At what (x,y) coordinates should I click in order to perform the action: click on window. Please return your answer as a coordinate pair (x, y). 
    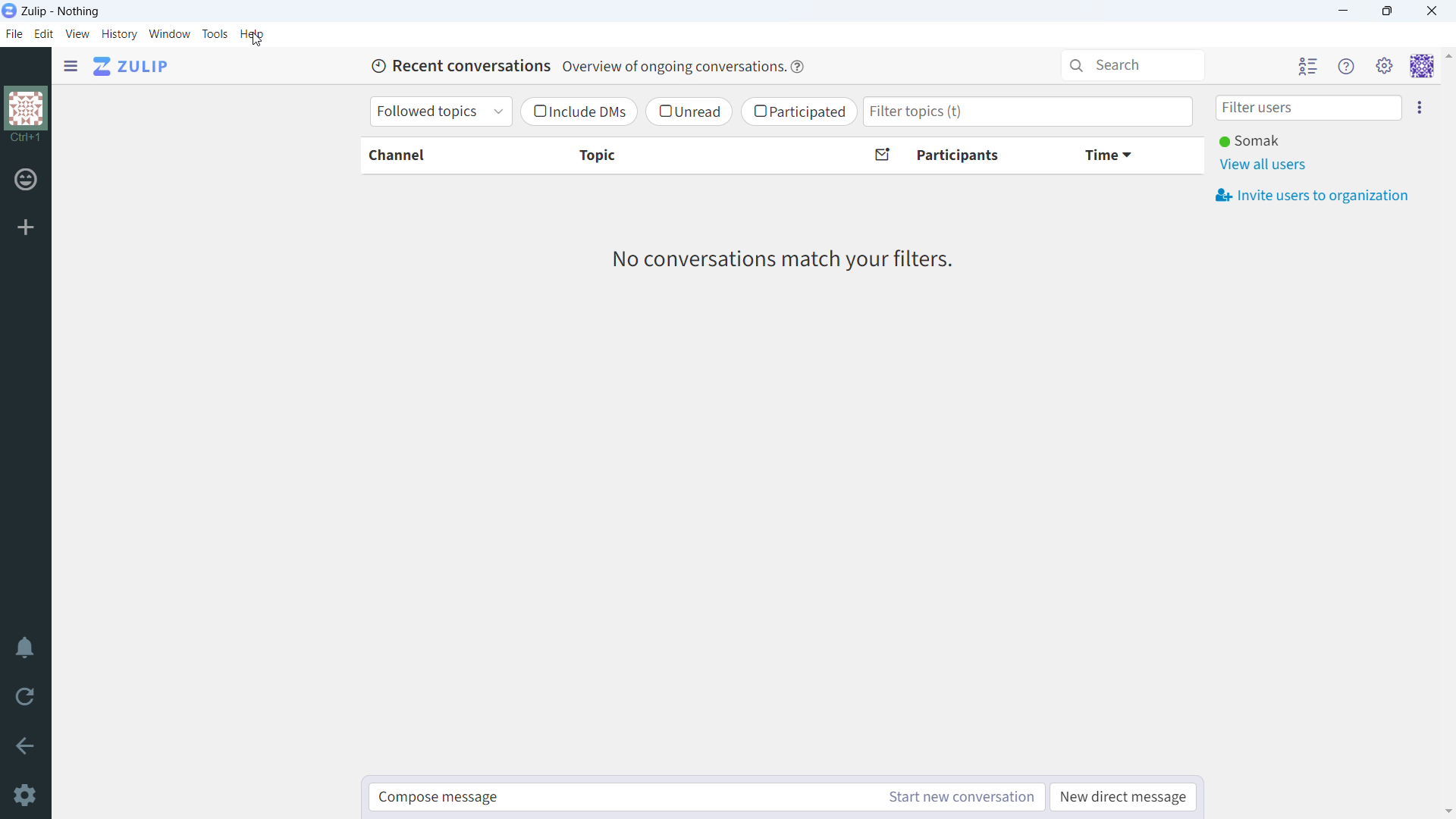
    Looking at the image, I should click on (171, 33).